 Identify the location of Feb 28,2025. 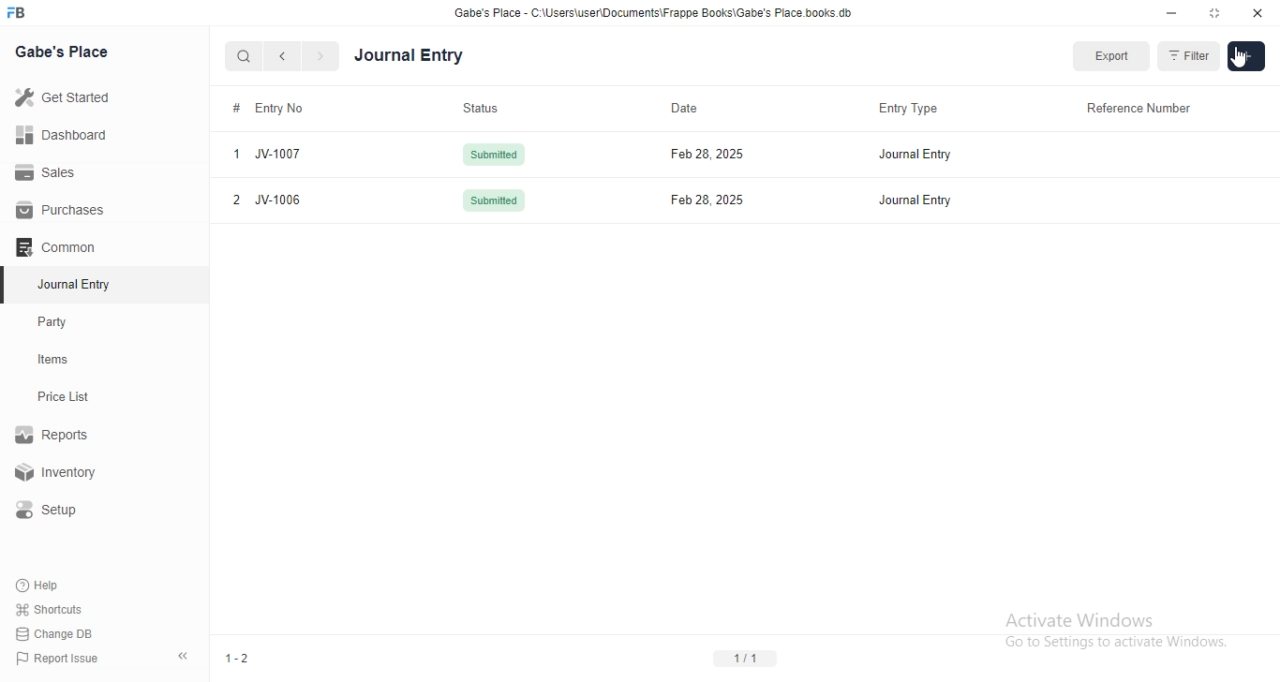
(697, 199).